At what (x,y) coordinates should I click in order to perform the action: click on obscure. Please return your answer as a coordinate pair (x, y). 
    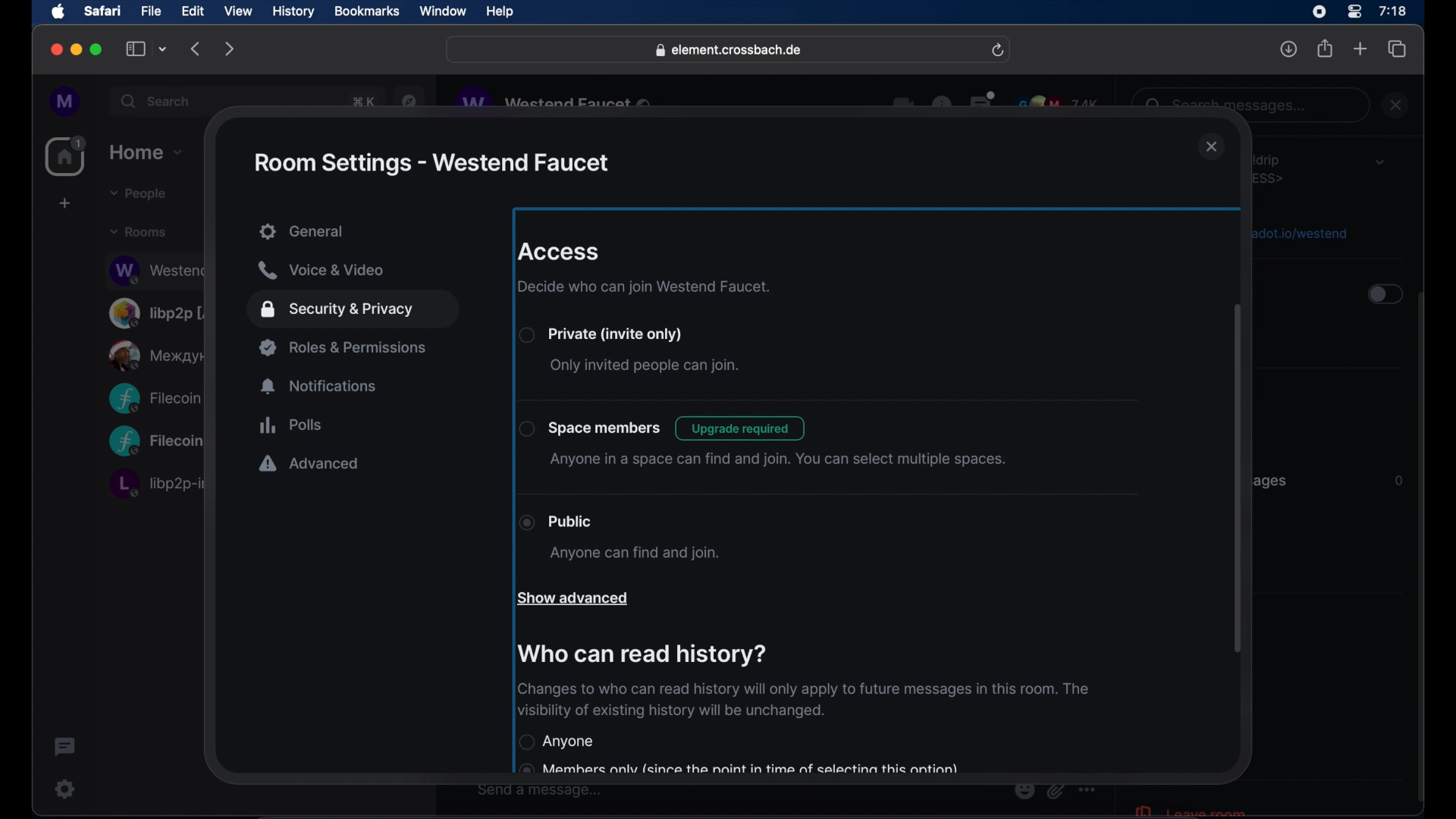
    Looking at the image, I should click on (156, 269).